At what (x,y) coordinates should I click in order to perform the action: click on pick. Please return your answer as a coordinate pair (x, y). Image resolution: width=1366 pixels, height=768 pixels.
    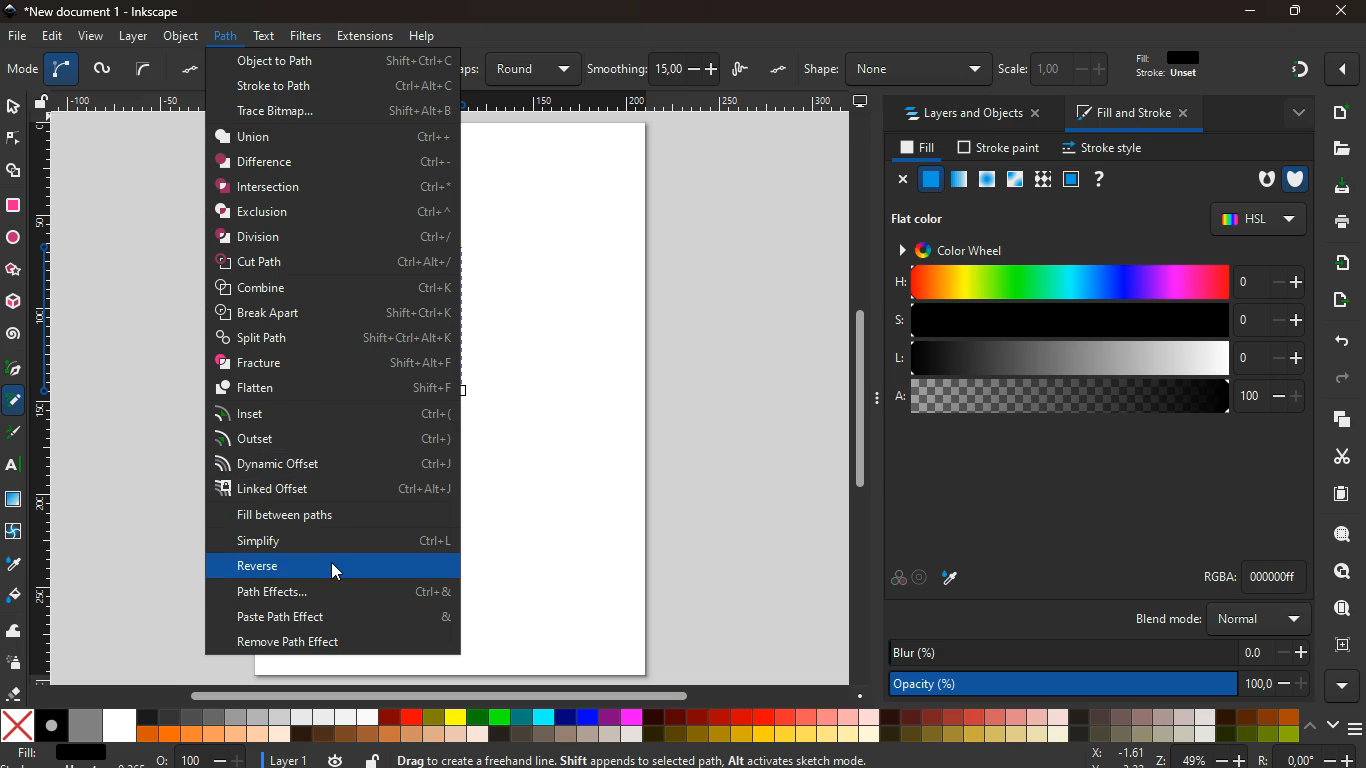
    Looking at the image, I should click on (12, 370).